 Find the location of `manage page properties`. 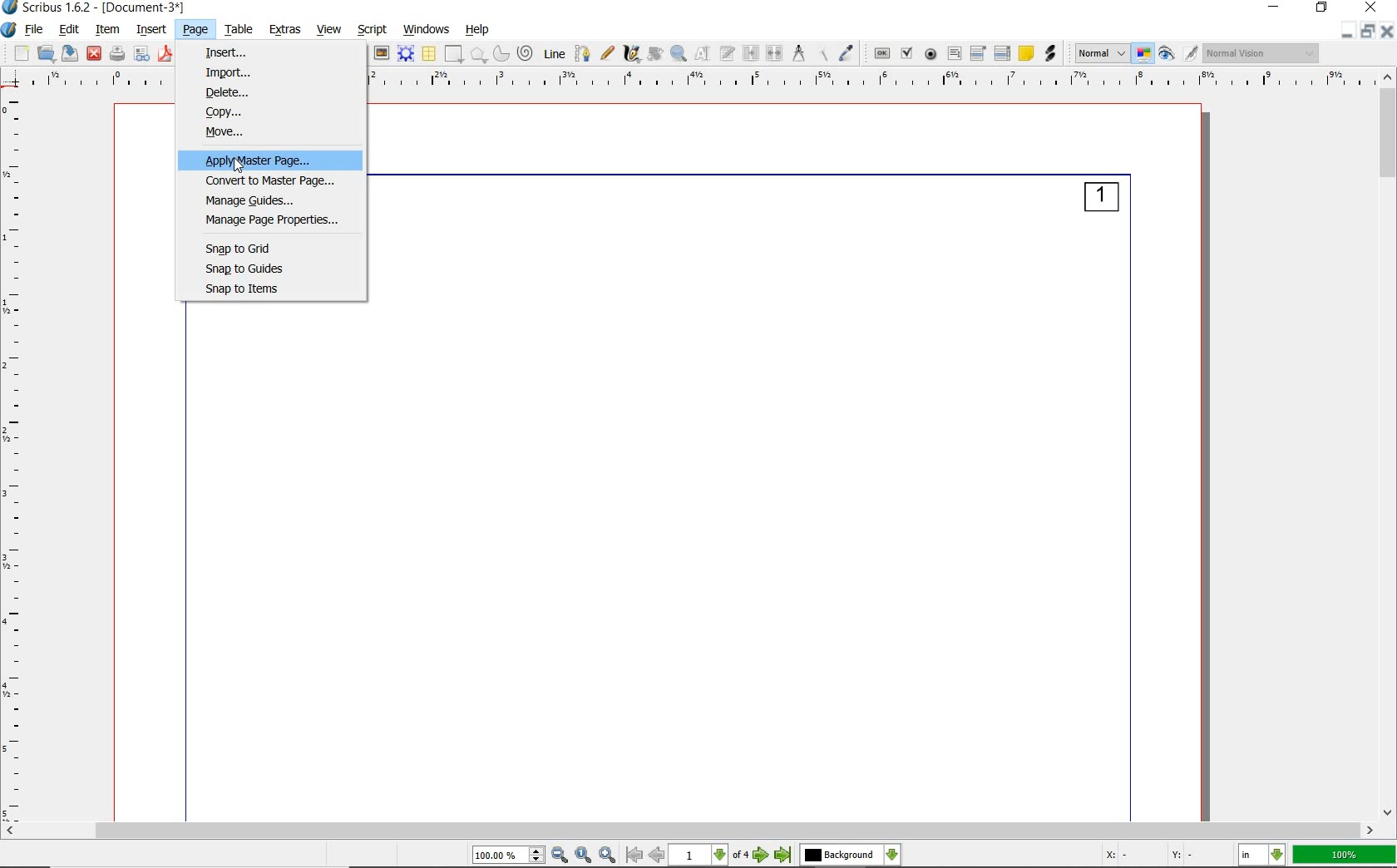

manage page properties is located at coordinates (272, 220).